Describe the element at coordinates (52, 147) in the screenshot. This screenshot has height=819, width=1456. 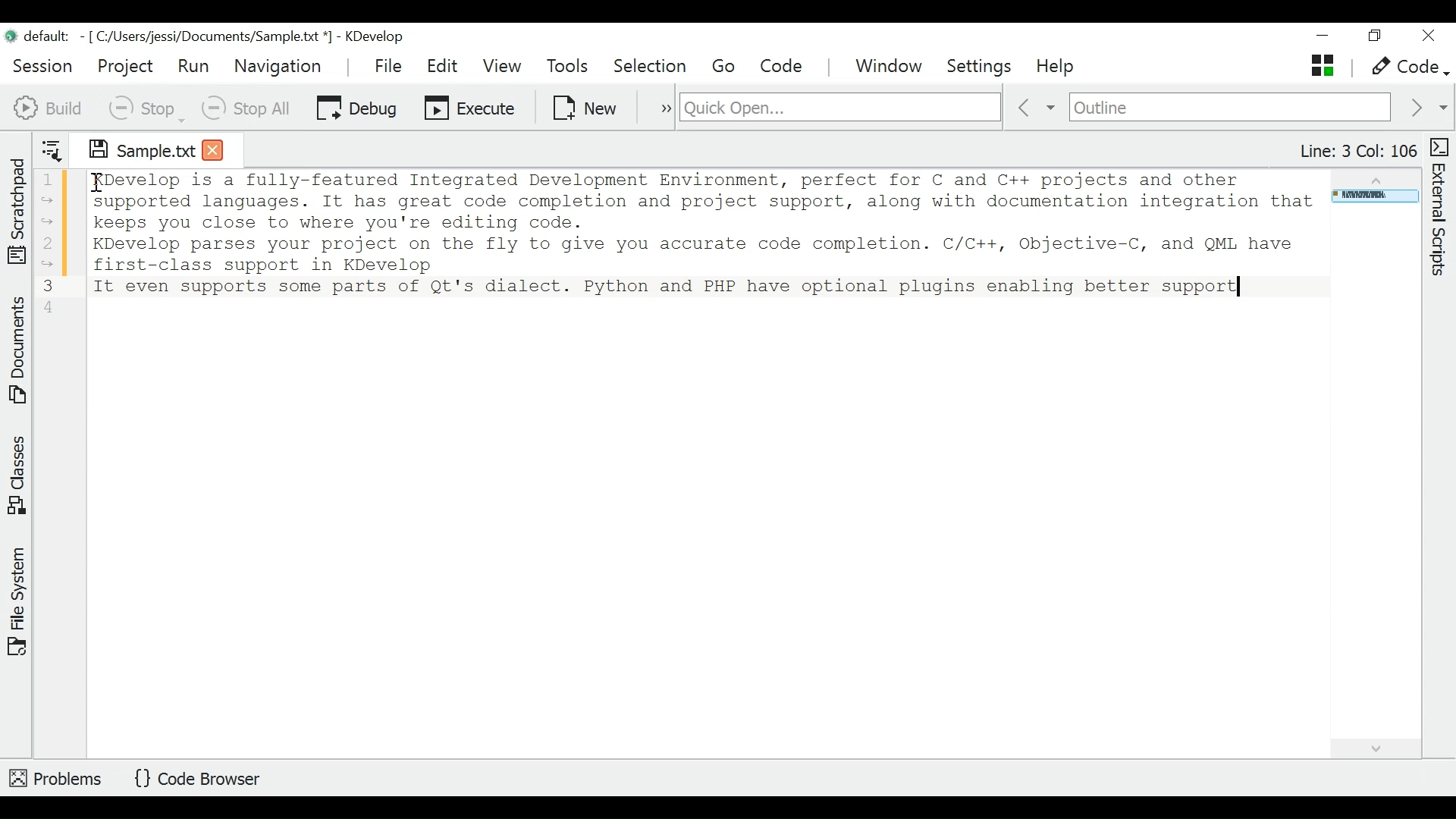
I see `Show sorted list` at that location.